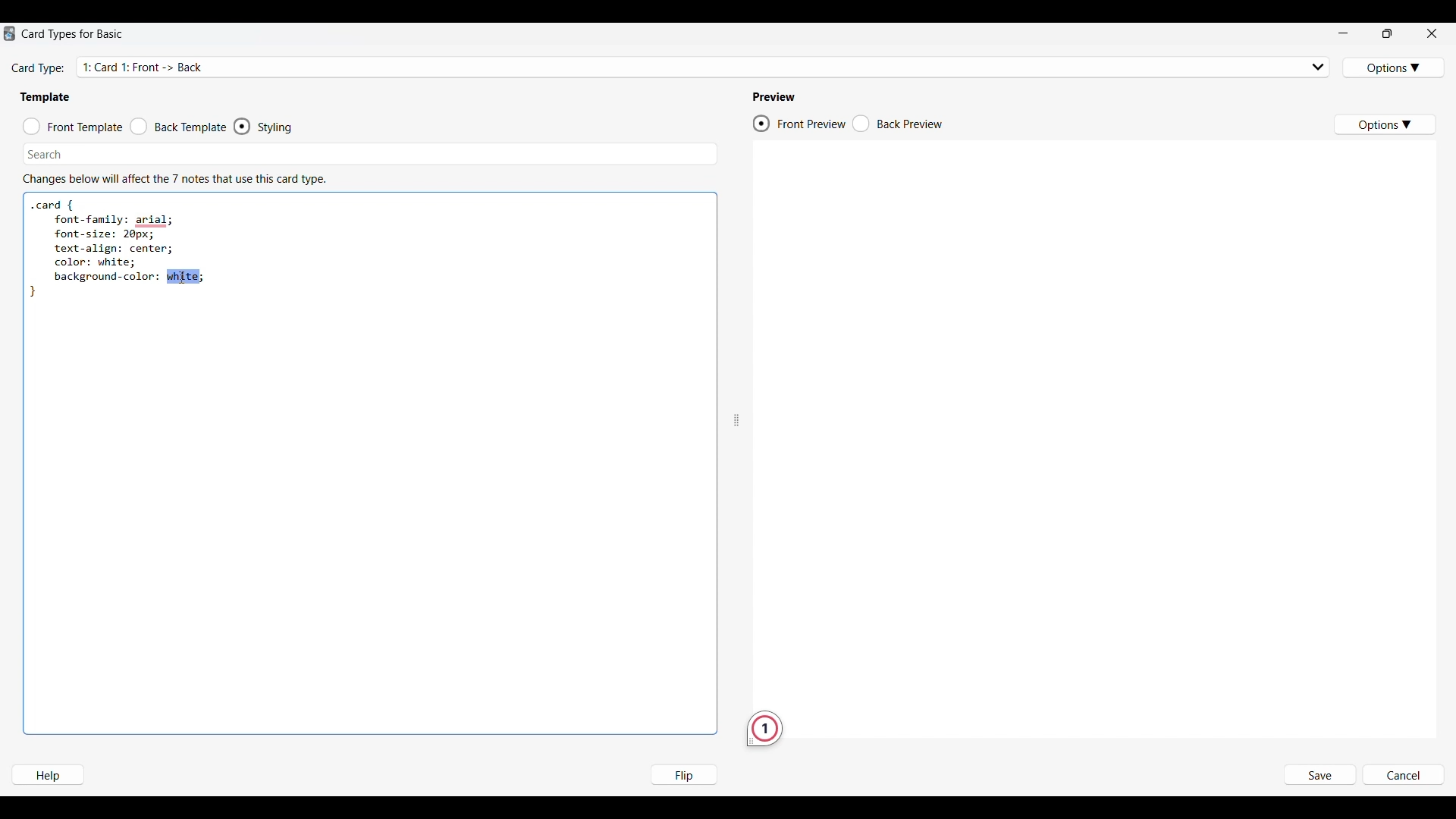  Describe the element at coordinates (182, 277) in the screenshot. I see `Cursor` at that location.